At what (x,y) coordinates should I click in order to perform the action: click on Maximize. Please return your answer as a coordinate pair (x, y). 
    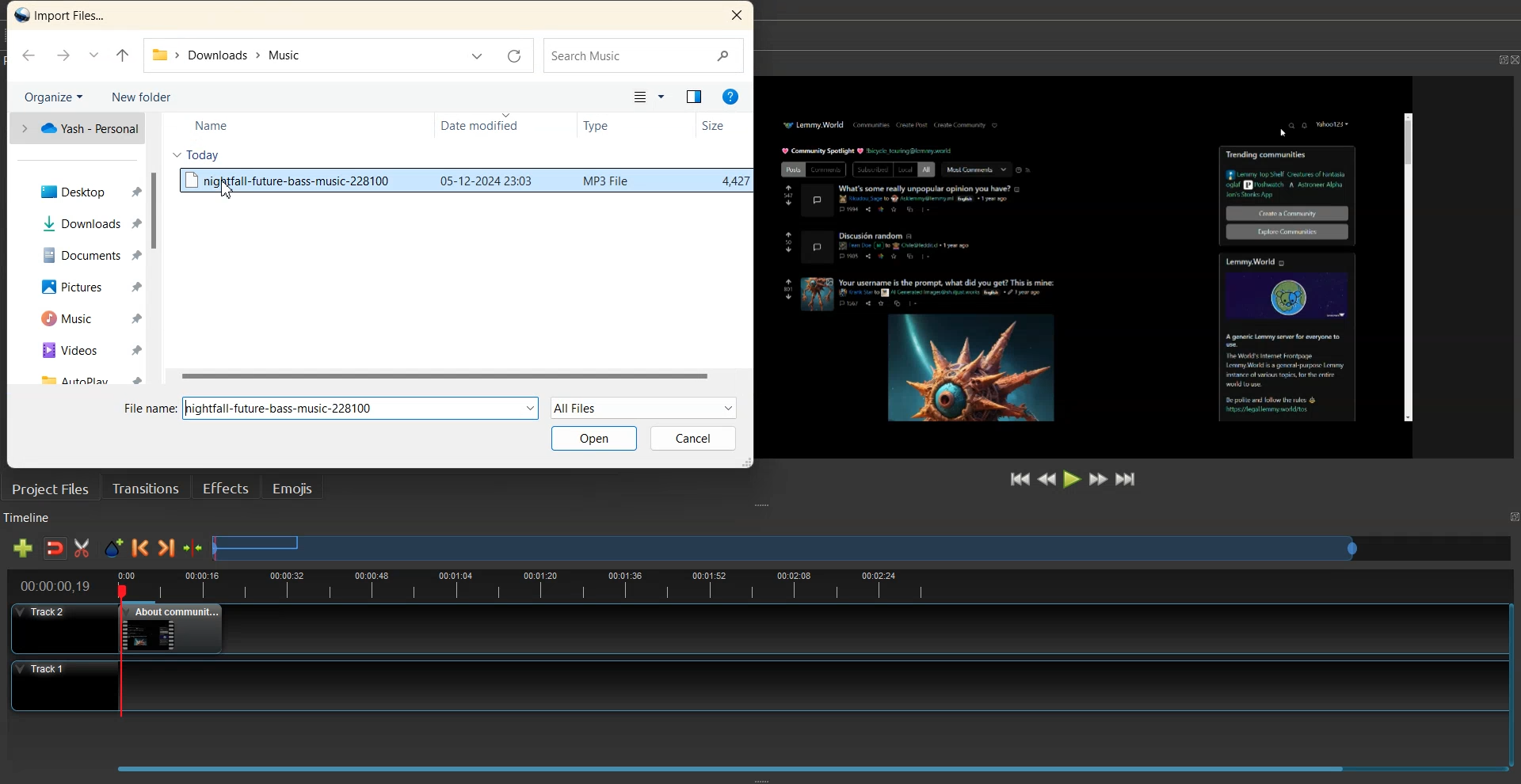
    Looking at the image, I should click on (1511, 517).